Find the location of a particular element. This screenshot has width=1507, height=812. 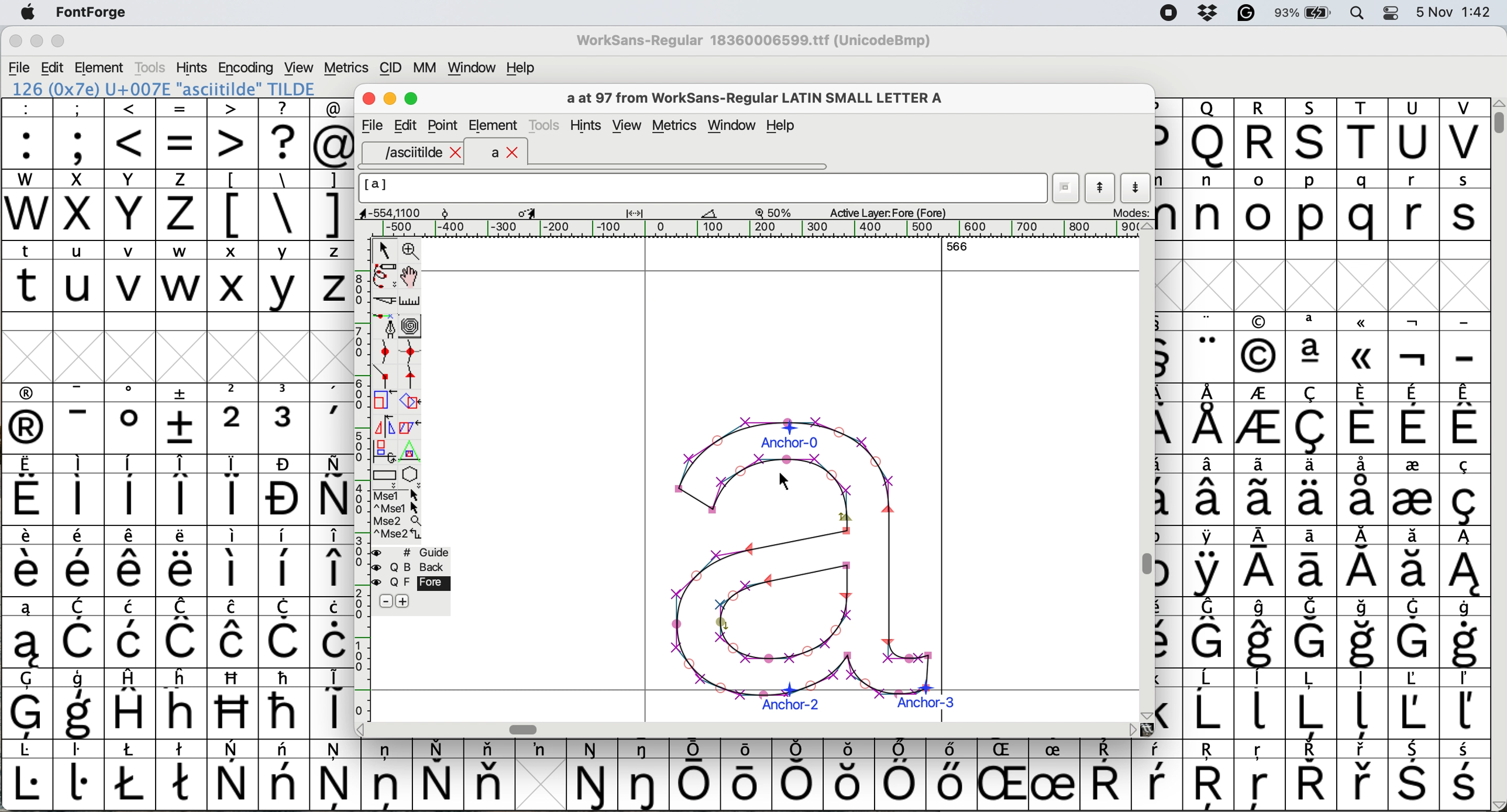

Maximise is located at coordinates (414, 99).